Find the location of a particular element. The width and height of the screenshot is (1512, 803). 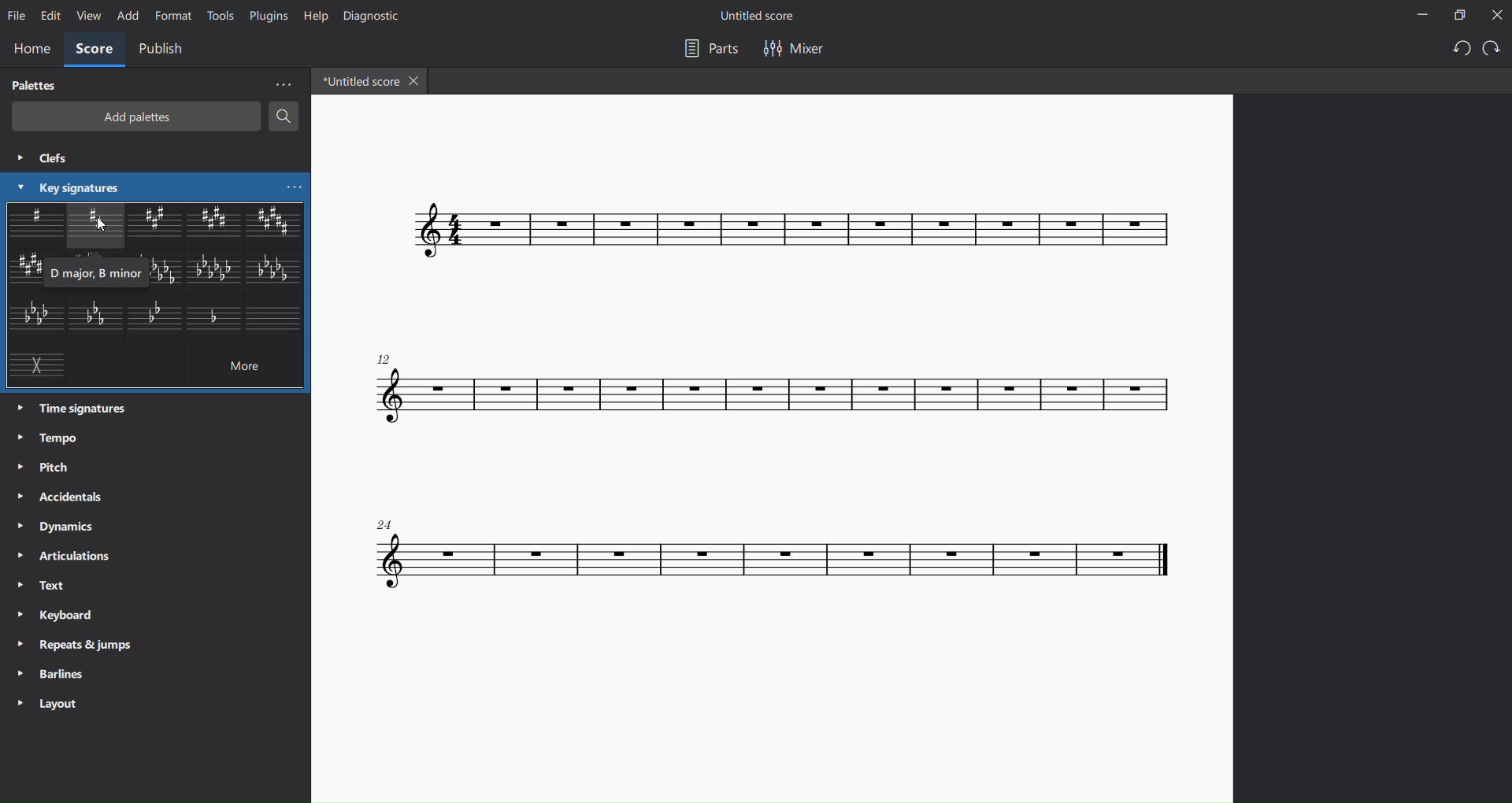

pitch is located at coordinates (56, 467).